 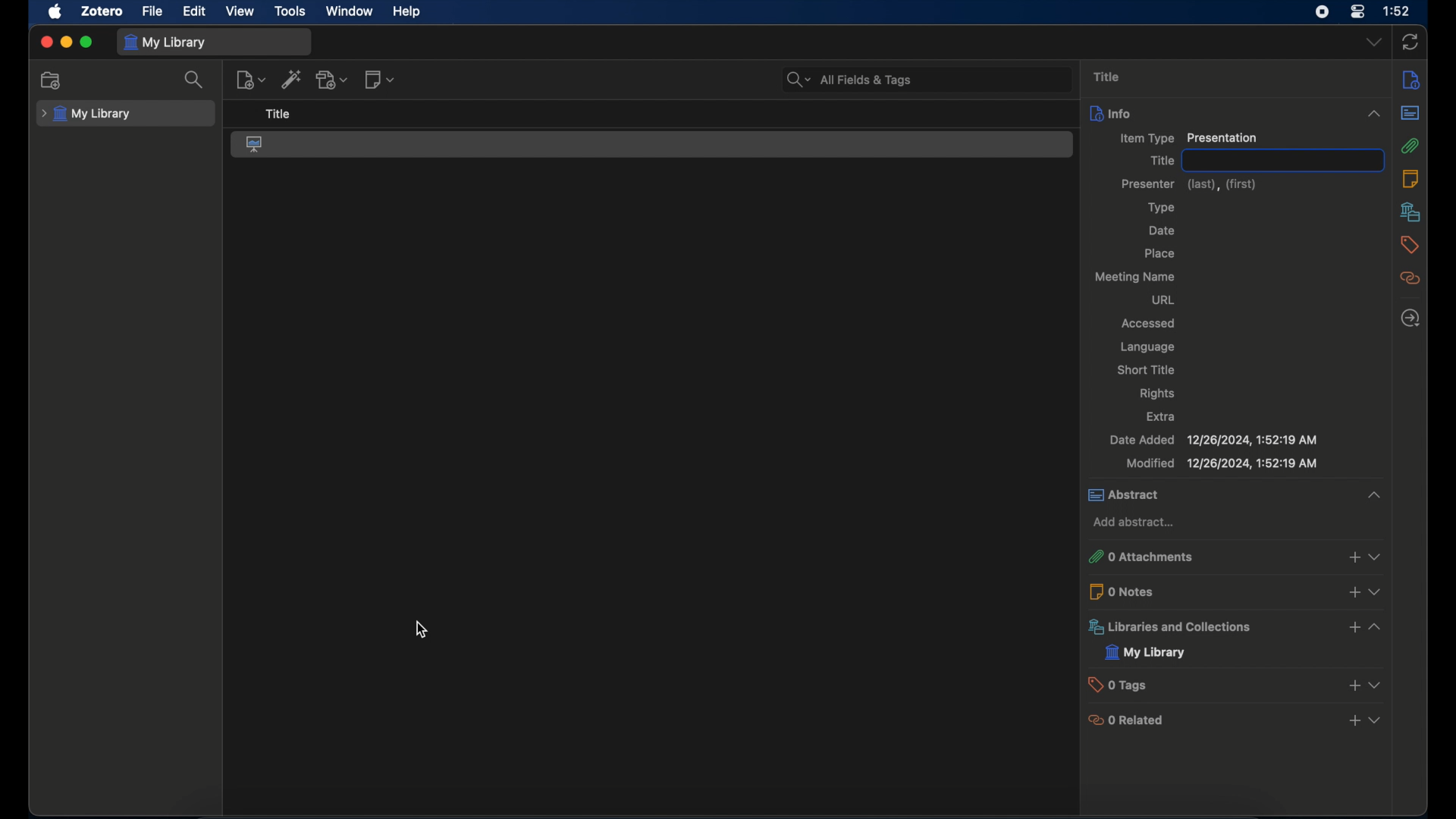 I want to click on presenter (last),(first), so click(x=1191, y=184).